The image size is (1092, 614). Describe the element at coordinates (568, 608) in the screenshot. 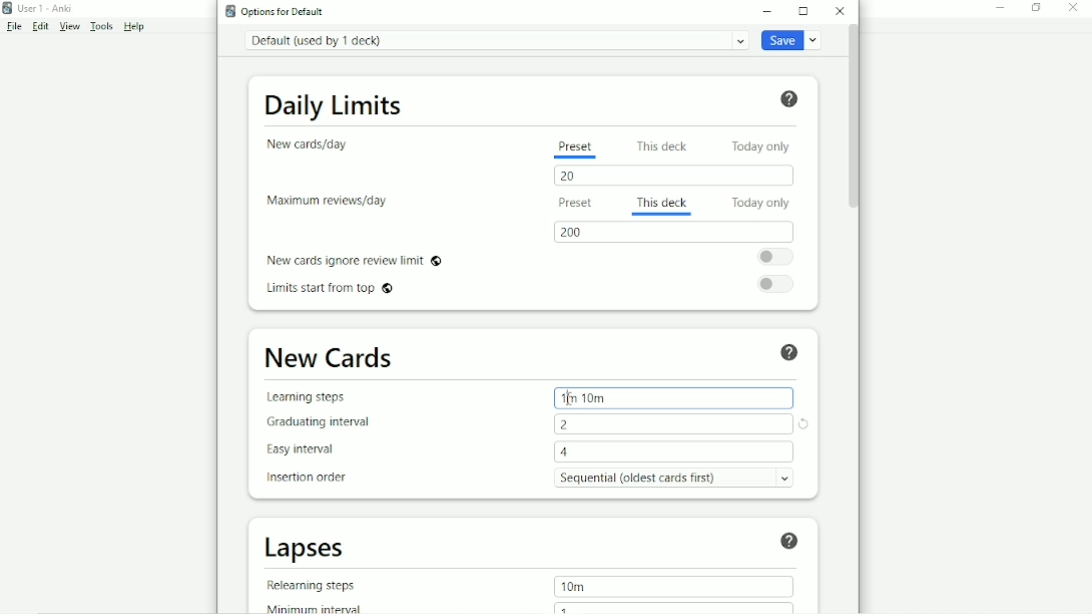

I see `1` at that location.